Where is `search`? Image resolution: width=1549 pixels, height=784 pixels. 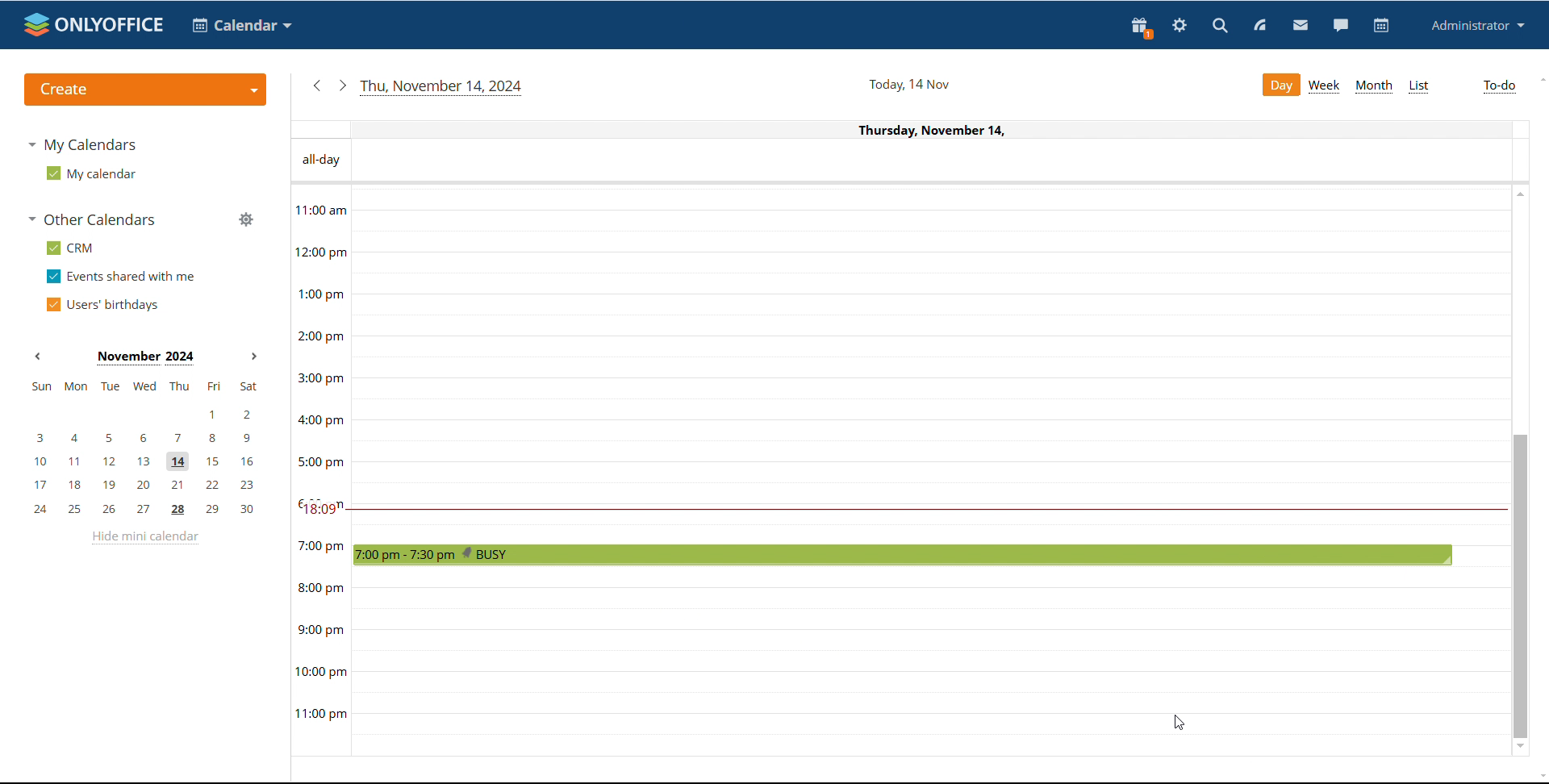
search is located at coordinates (1221, 27).